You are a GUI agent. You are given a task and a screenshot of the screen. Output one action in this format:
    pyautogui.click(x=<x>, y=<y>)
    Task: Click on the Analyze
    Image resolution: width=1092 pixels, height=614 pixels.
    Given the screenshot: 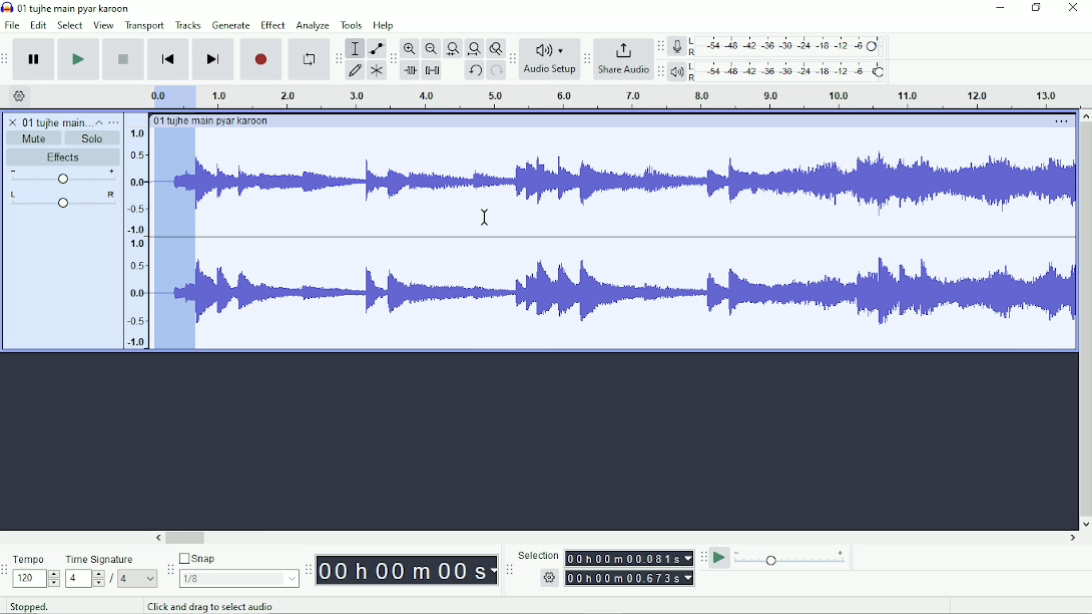 What is the action you would take?
    pyautogui.click(x=312, y=27)
    